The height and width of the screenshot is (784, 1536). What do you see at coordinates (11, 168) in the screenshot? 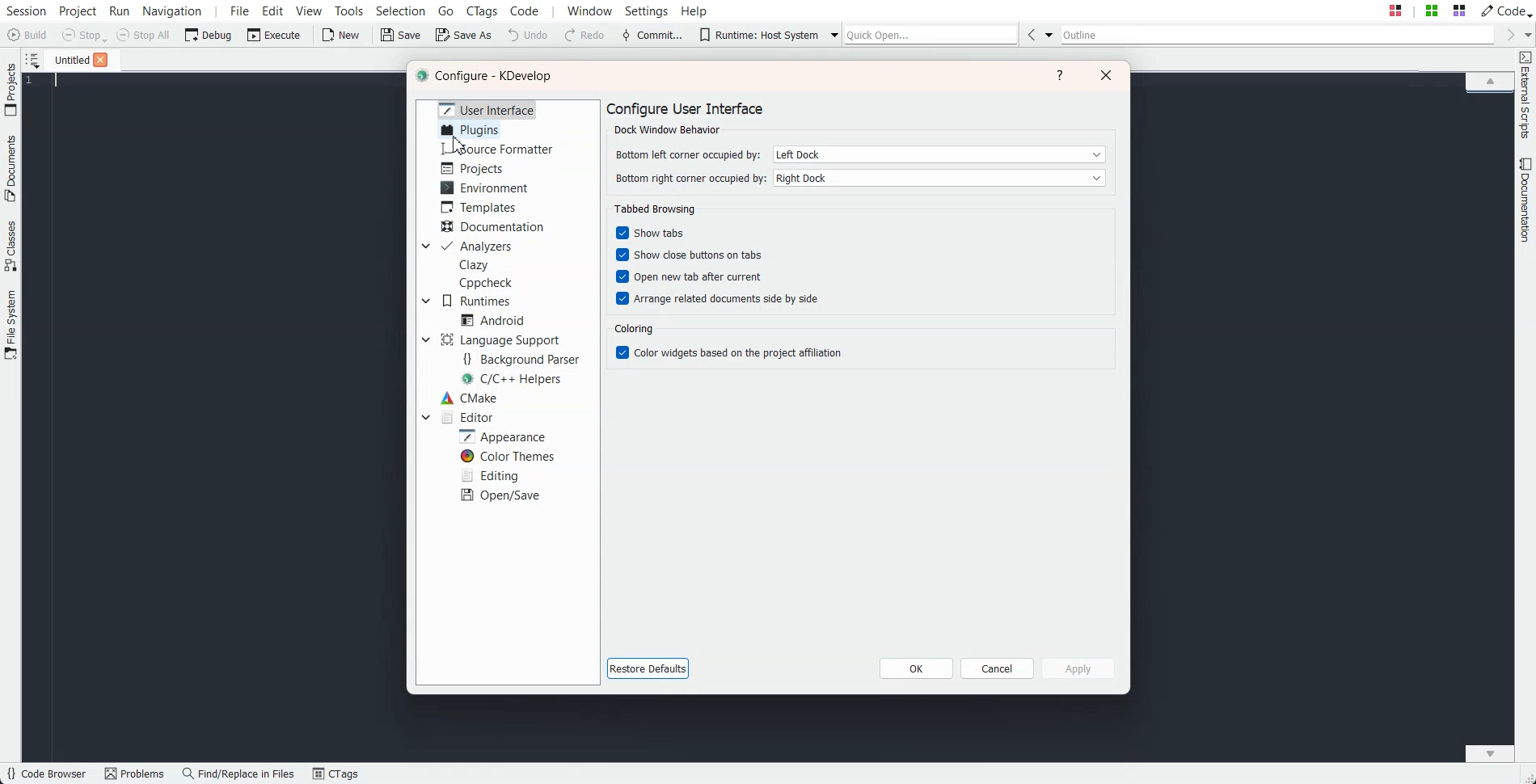
I see `Documents` at bounding box center [11, 168].